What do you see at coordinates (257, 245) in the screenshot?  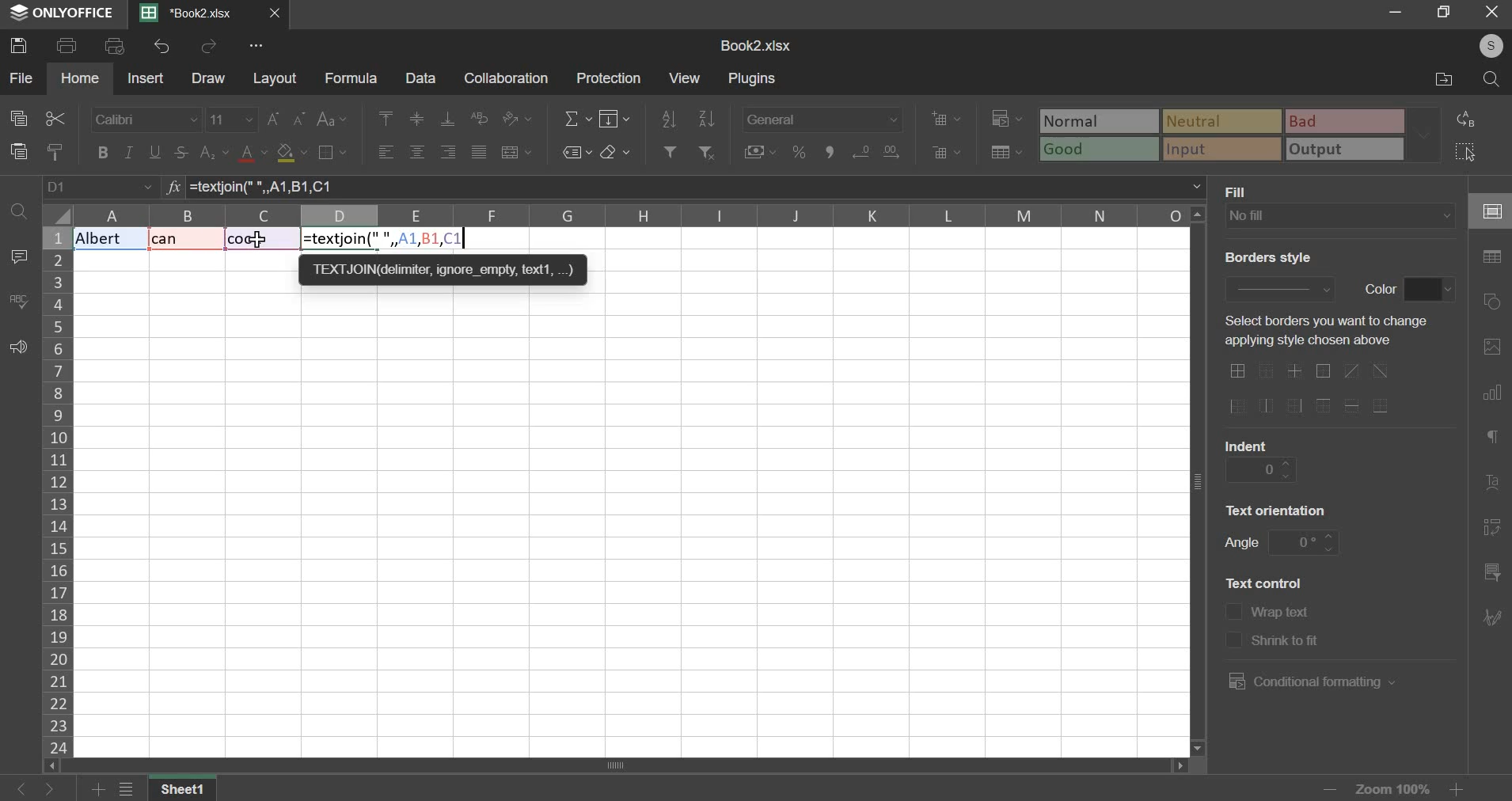 I see `cursor` at bounding box center [257, 245].